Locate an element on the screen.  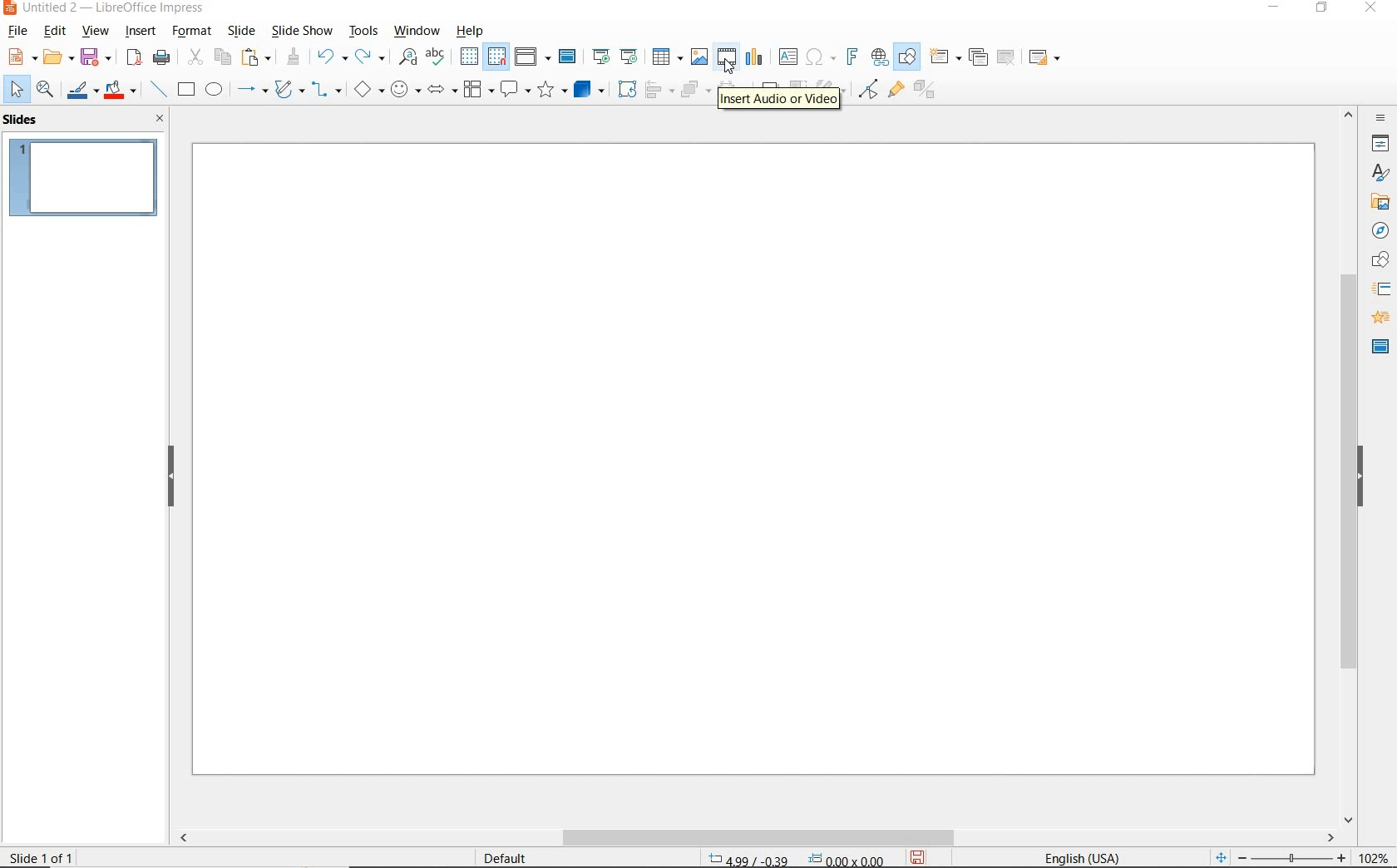
STYLES is located at coordinates (1381, 174).